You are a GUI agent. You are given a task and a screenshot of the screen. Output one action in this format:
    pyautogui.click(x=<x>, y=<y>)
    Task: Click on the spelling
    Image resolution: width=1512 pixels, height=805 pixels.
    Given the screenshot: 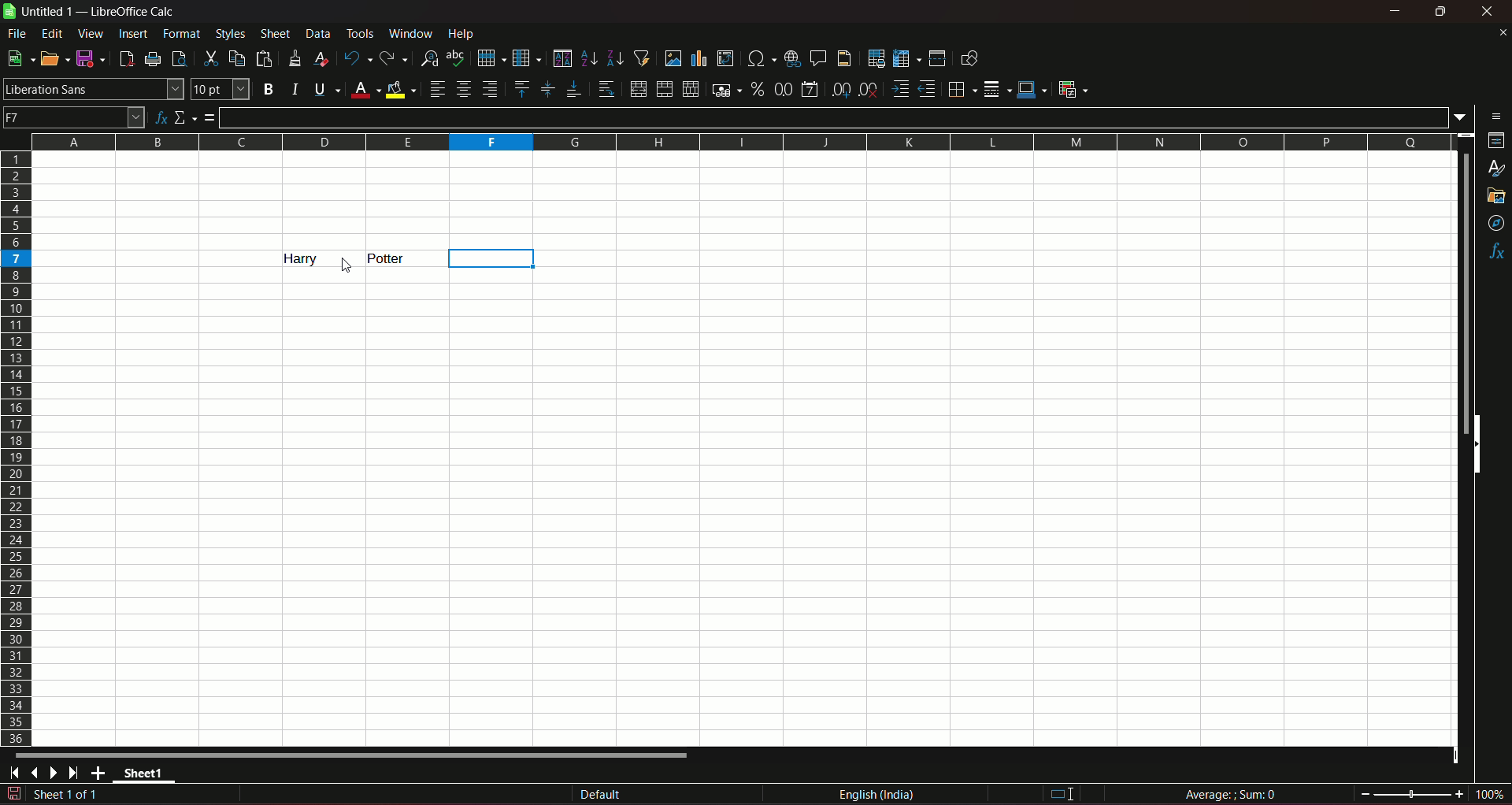 What is the action you would take?
    pyautogui.click(x=457, y=58)
    